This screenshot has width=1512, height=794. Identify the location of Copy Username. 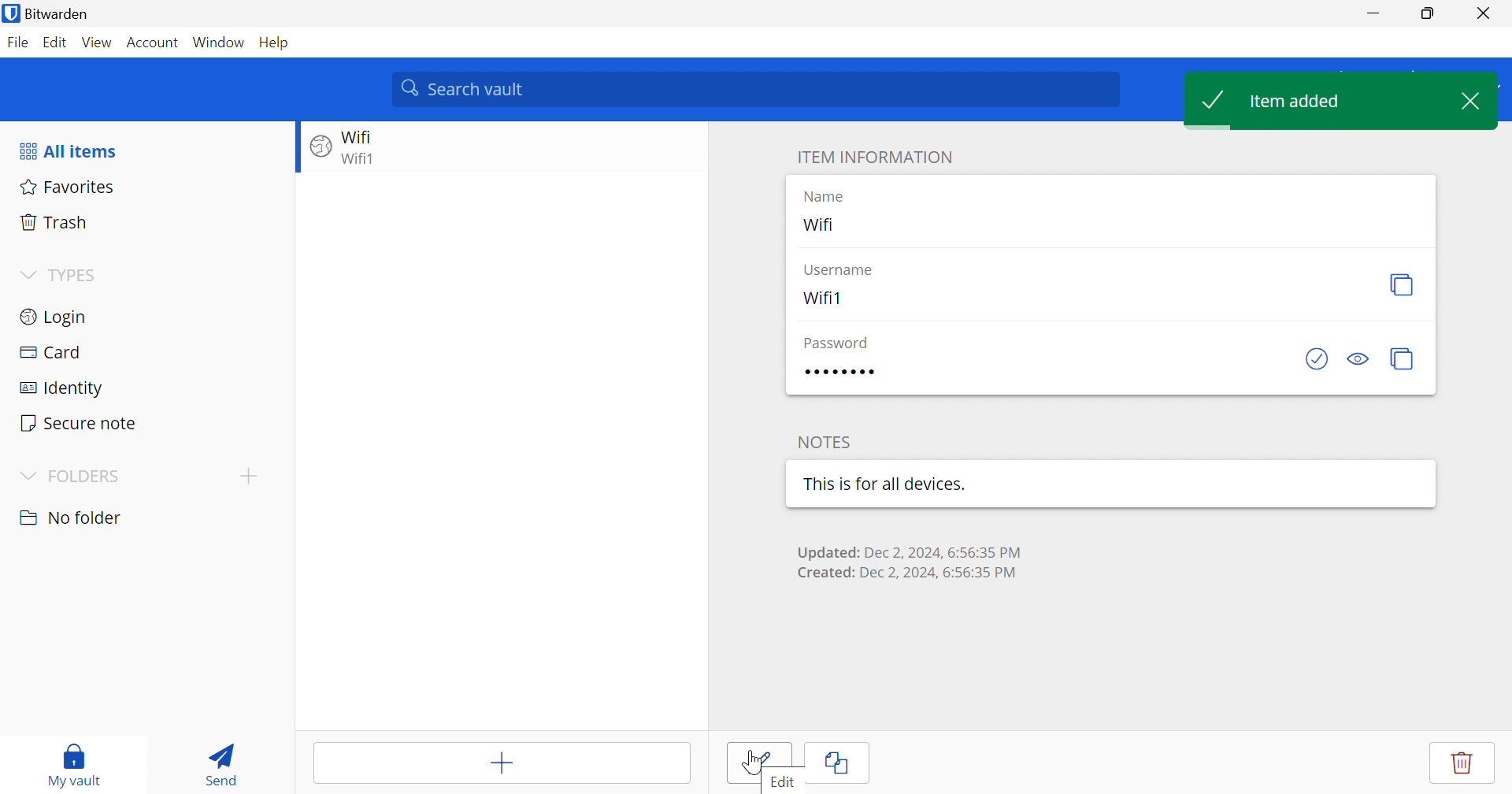
(1401, 284).